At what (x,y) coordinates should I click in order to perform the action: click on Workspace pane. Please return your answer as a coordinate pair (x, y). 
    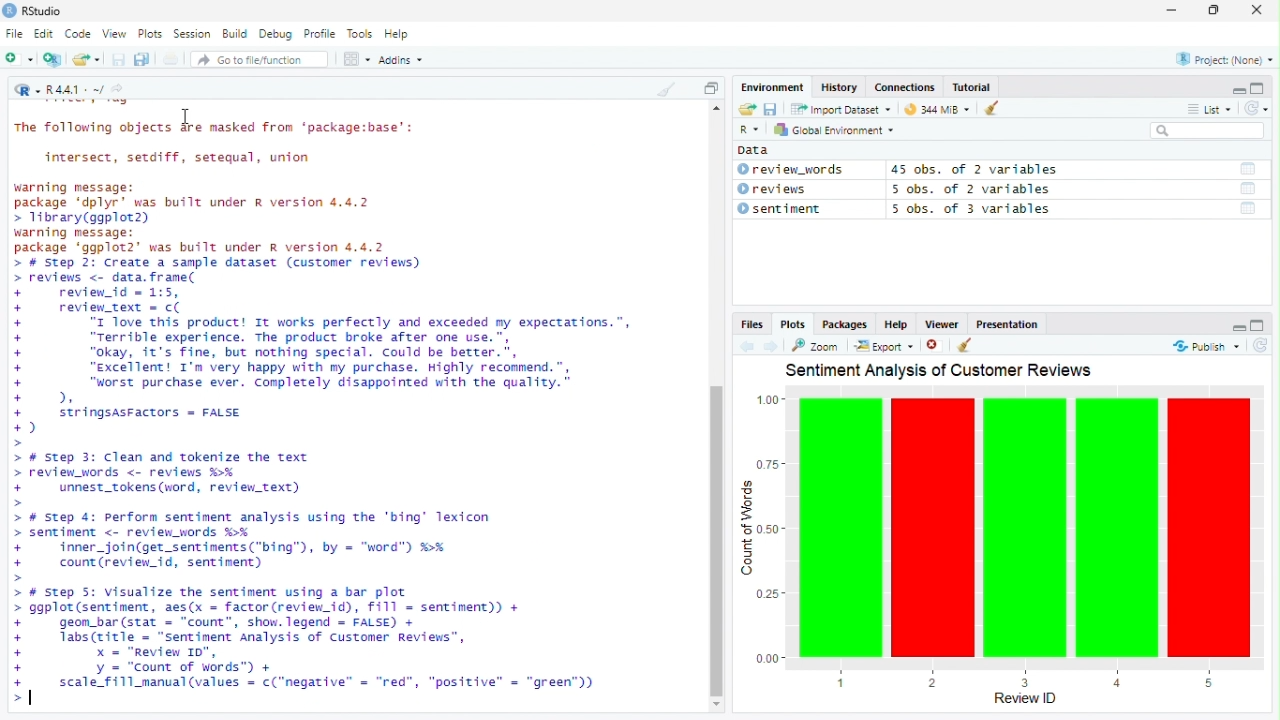
    Looking at the image, I should click on (355, 60).